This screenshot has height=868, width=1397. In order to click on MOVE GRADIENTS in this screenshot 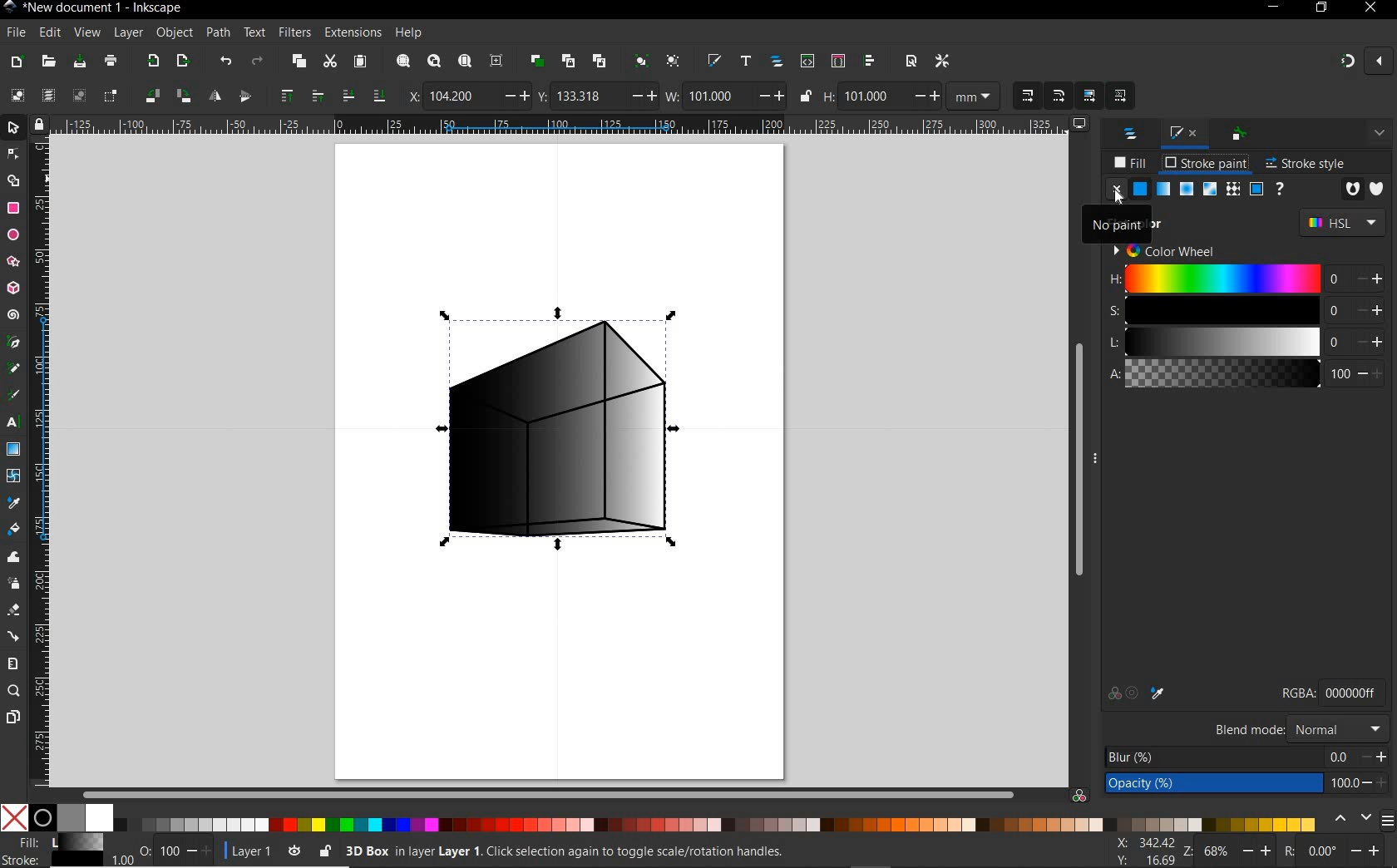, I will do `click(1090, 94)`.